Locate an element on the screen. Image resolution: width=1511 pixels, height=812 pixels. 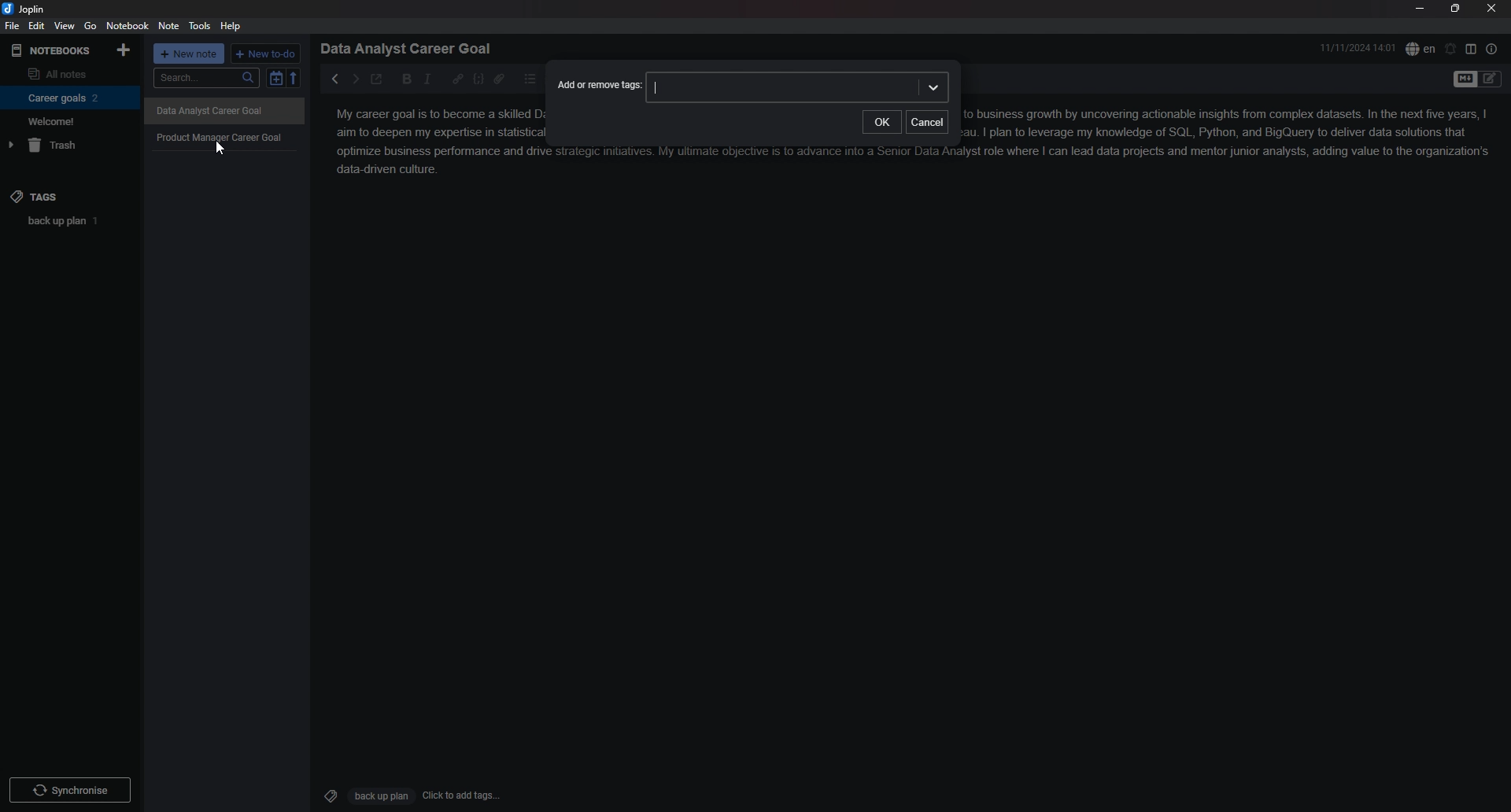
joplin is located at coordinates (25, 9).